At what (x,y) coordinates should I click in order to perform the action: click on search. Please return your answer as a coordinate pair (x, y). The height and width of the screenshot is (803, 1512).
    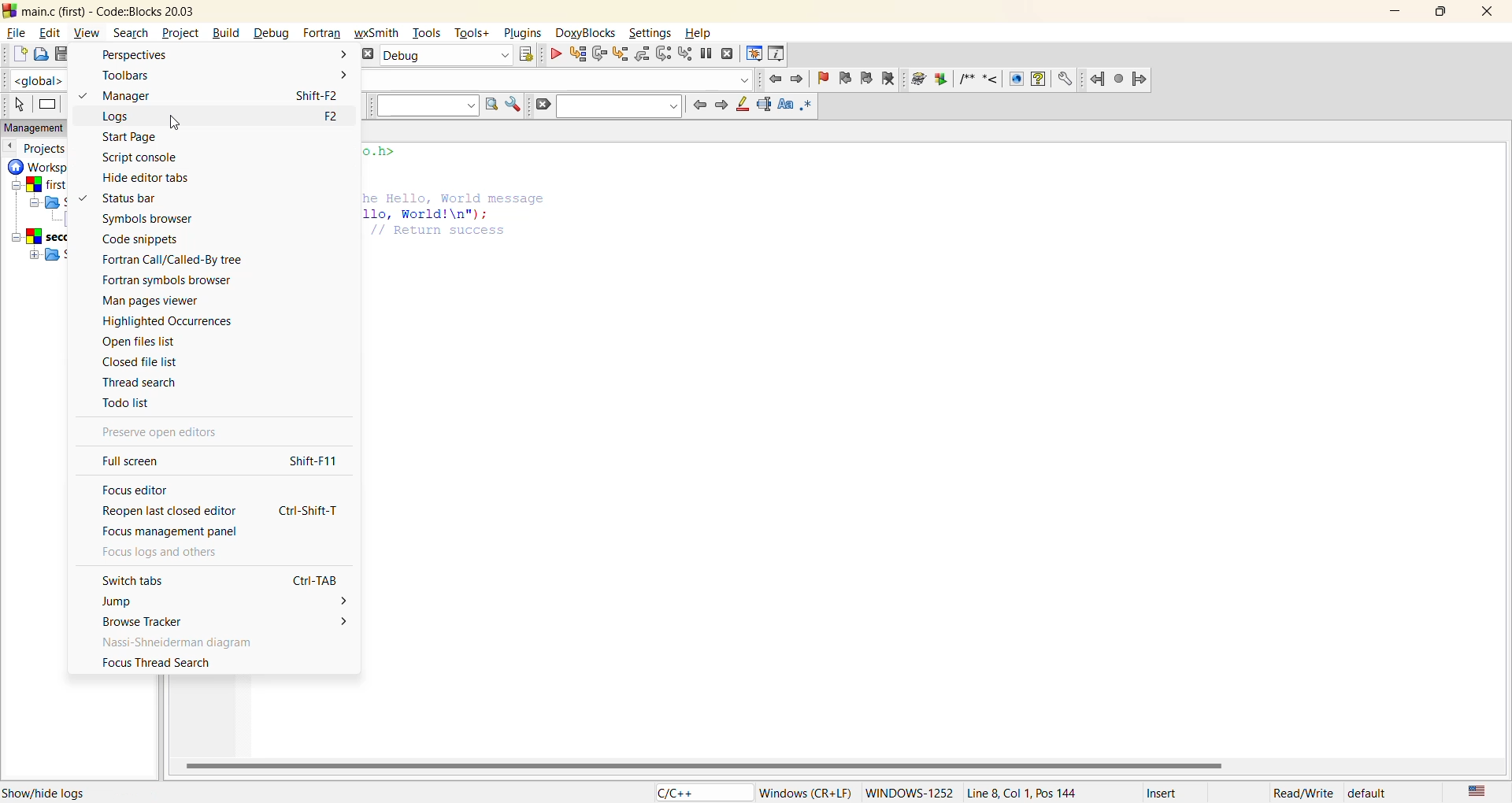
    Looking at the image, I should click on (618, 106).